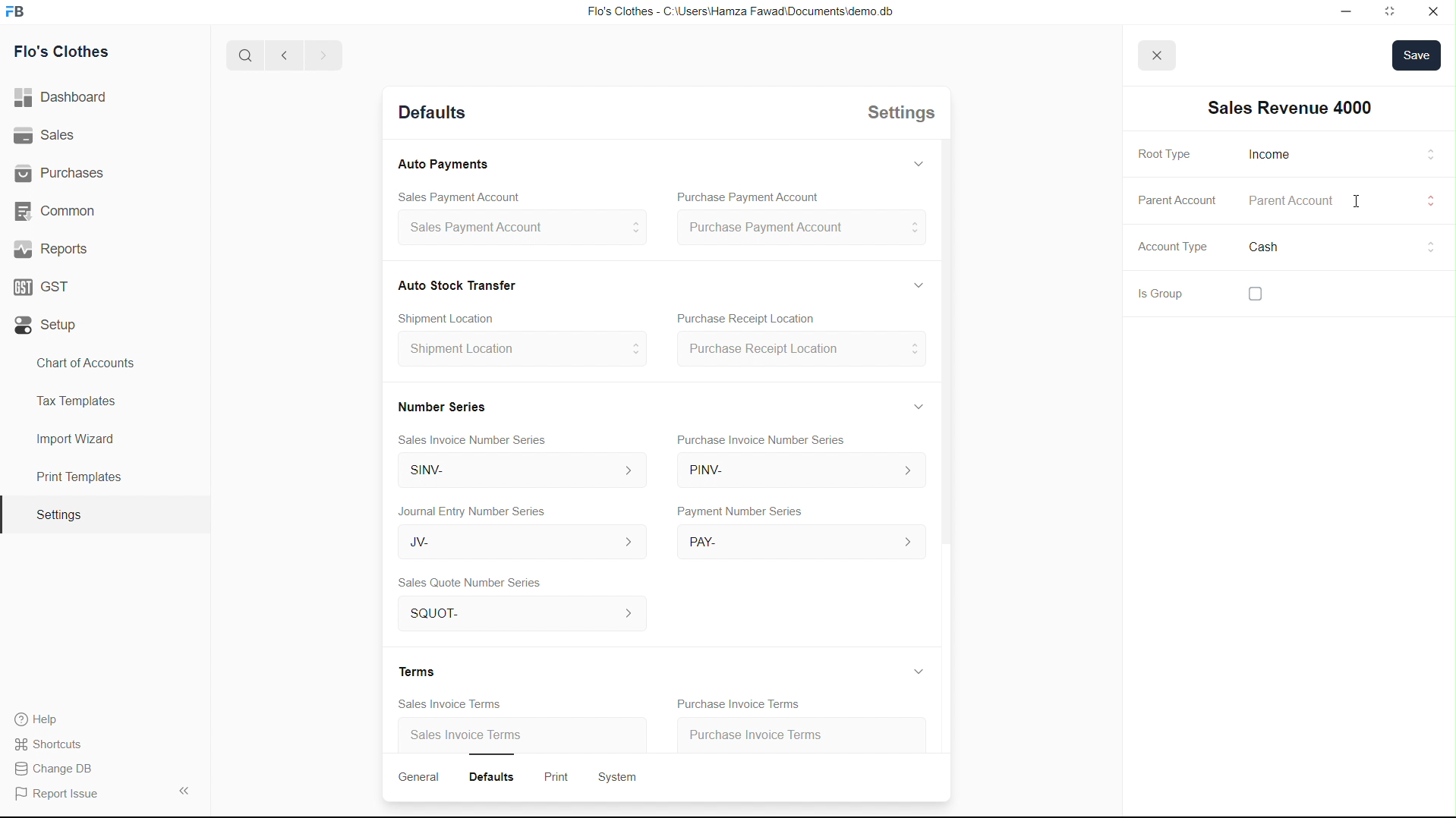  Describe the element at coordinates (1277, 291) in the screenshot. I see `checkbox` at that location.